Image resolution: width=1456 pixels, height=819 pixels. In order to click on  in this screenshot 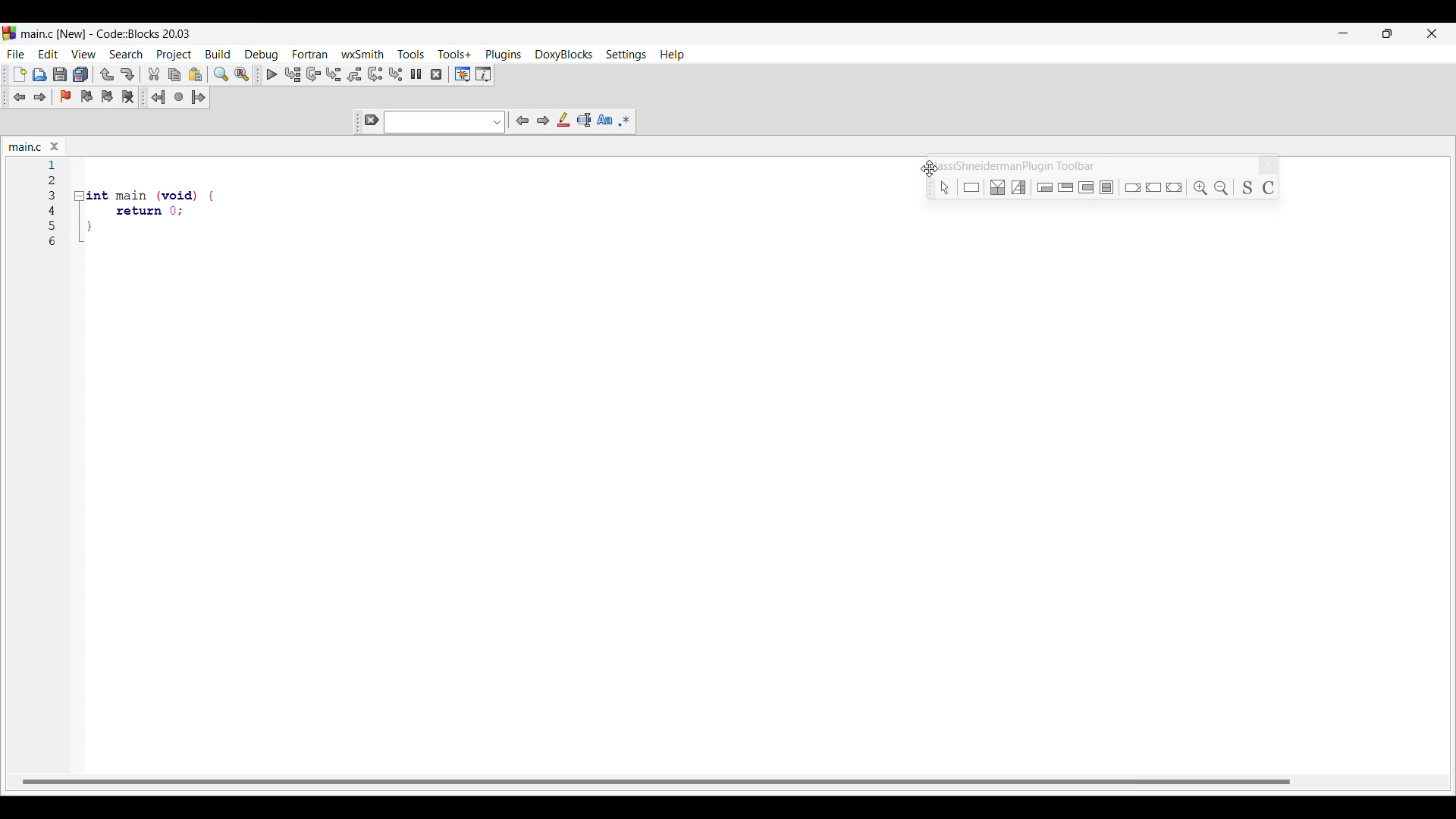, I will do `click(1021, 186)`.